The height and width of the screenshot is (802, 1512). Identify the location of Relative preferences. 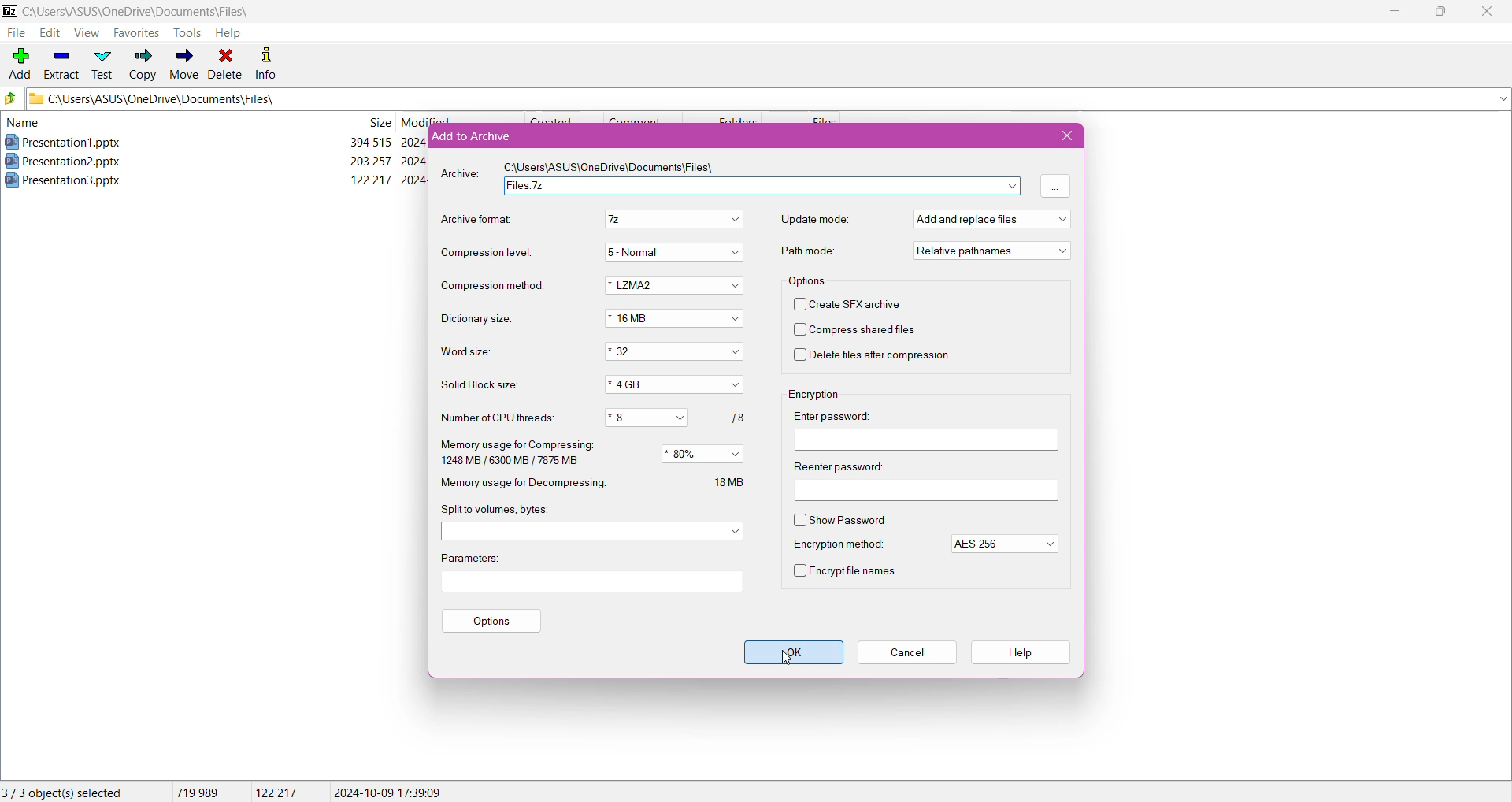
(991, 251).